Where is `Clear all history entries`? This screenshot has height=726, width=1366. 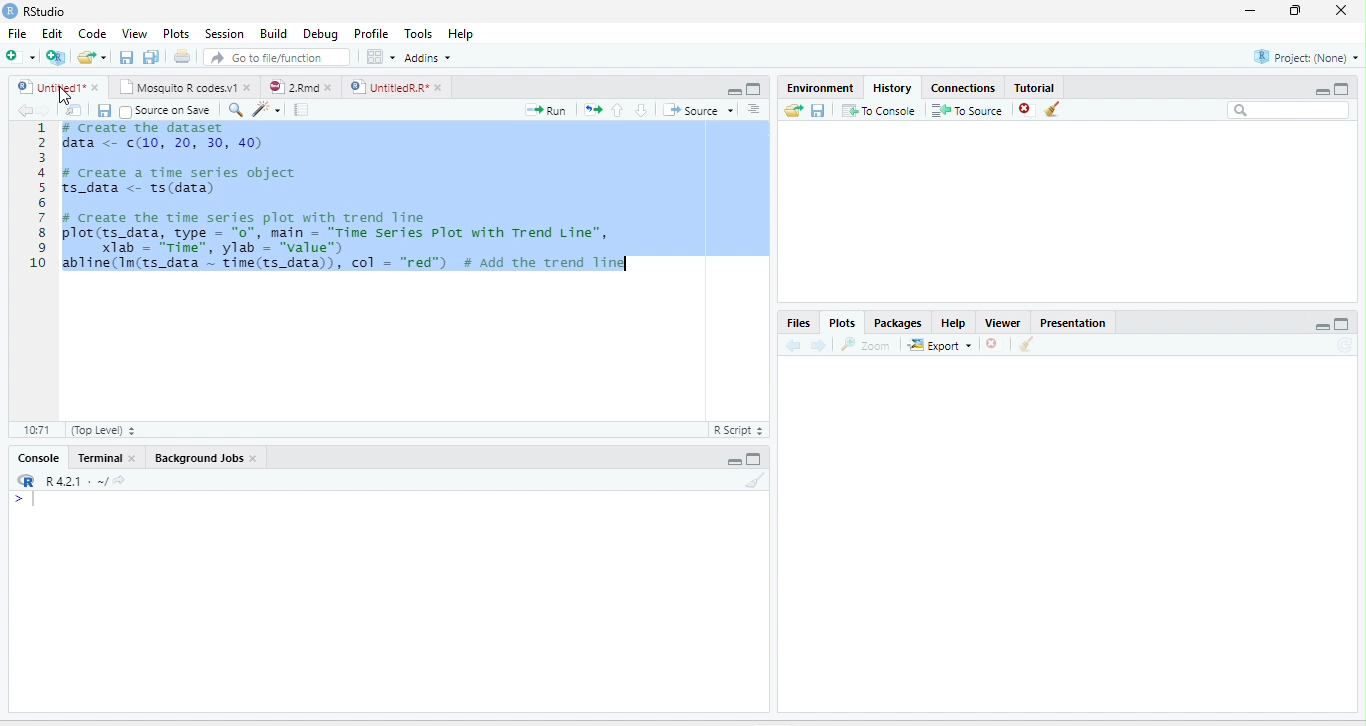 Clear all history entries is located at coordinates (1053, 109).